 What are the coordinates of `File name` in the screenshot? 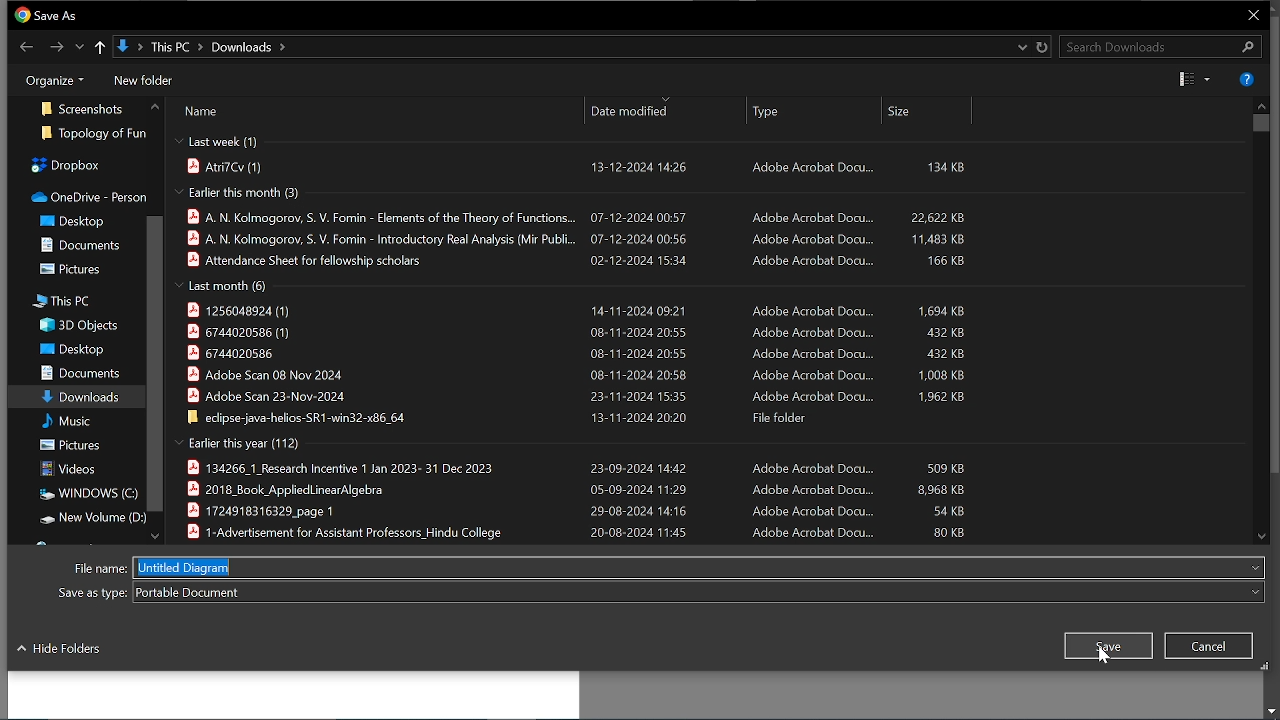 It's located at (663, 567).